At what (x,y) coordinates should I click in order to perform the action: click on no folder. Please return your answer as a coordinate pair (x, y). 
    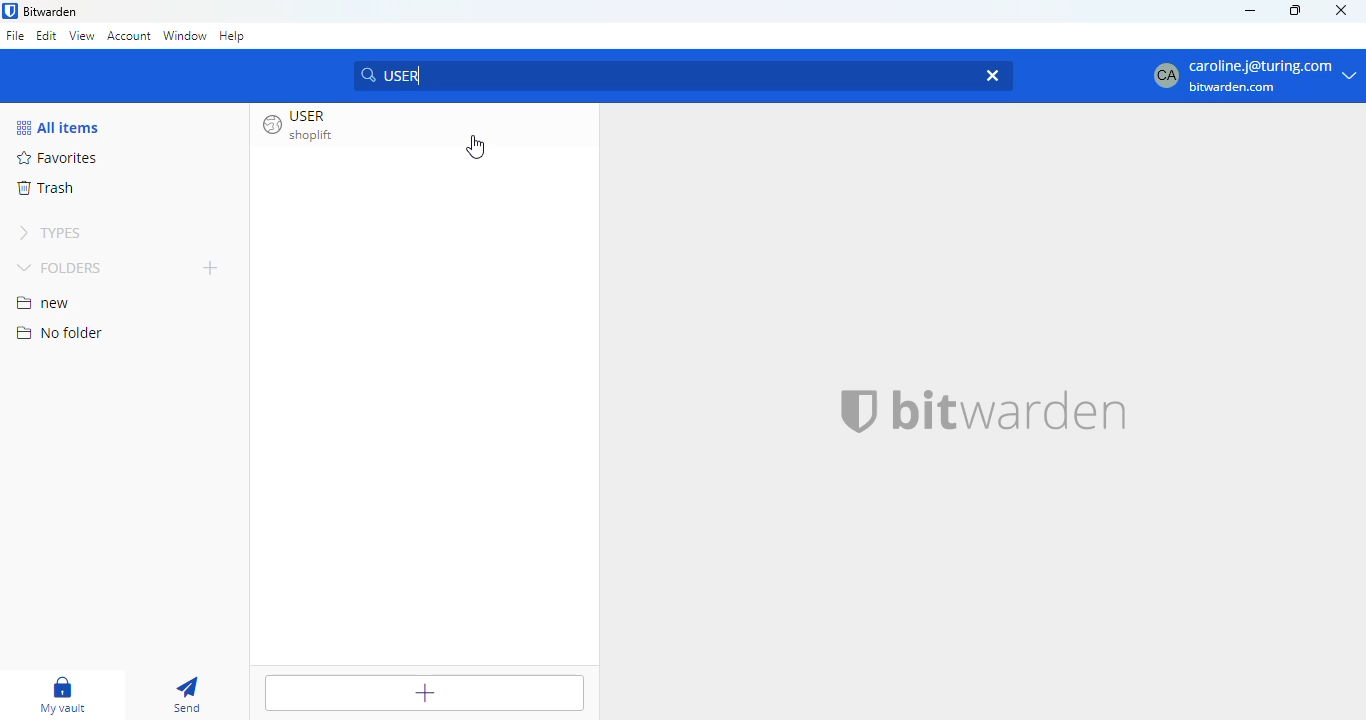
    Looking at the image, I should click on (60, 332).